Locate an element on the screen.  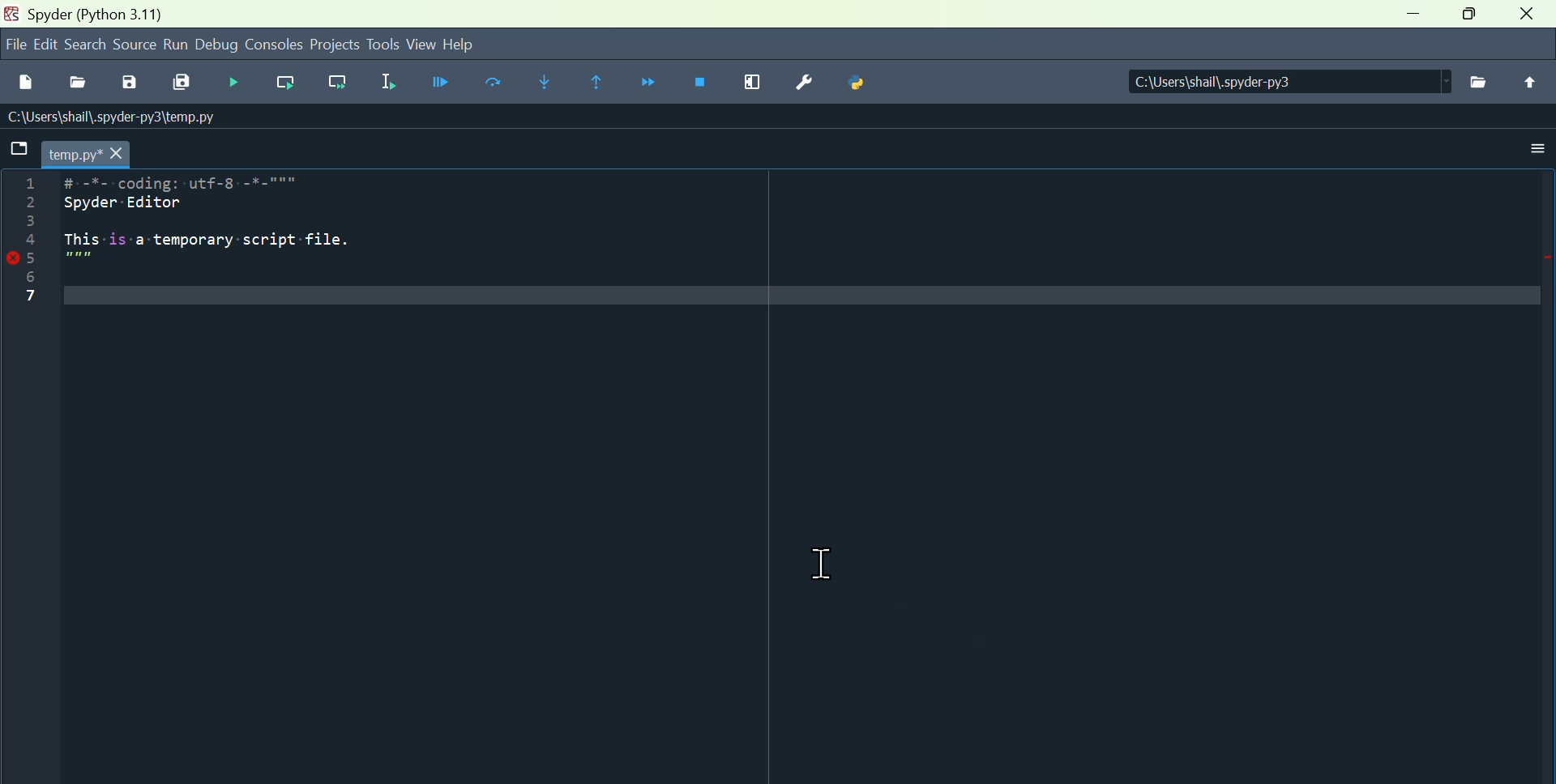
temp.py*  is located at coordinates (86, 155).